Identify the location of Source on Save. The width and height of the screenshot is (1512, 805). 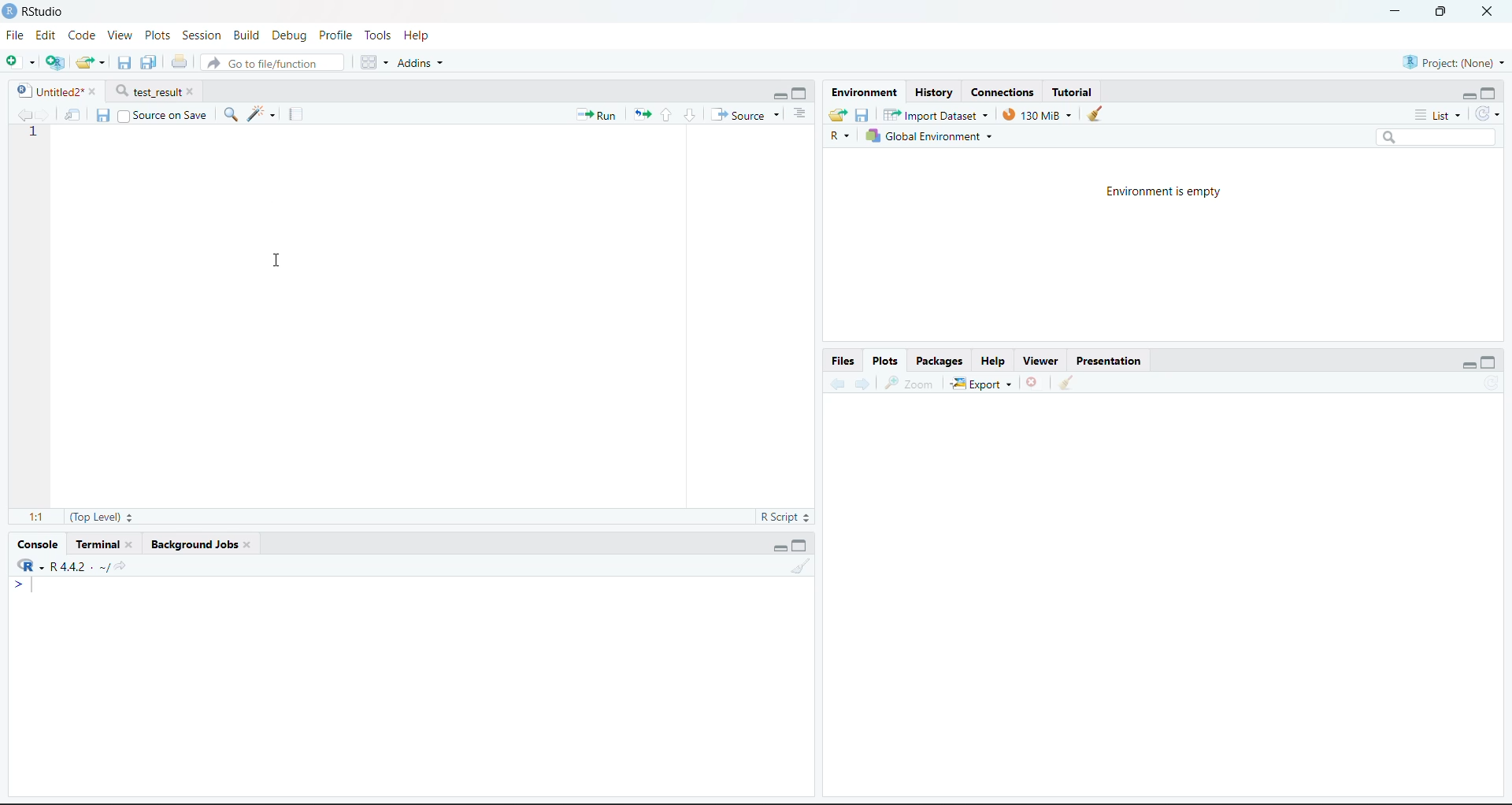
(167, 114).